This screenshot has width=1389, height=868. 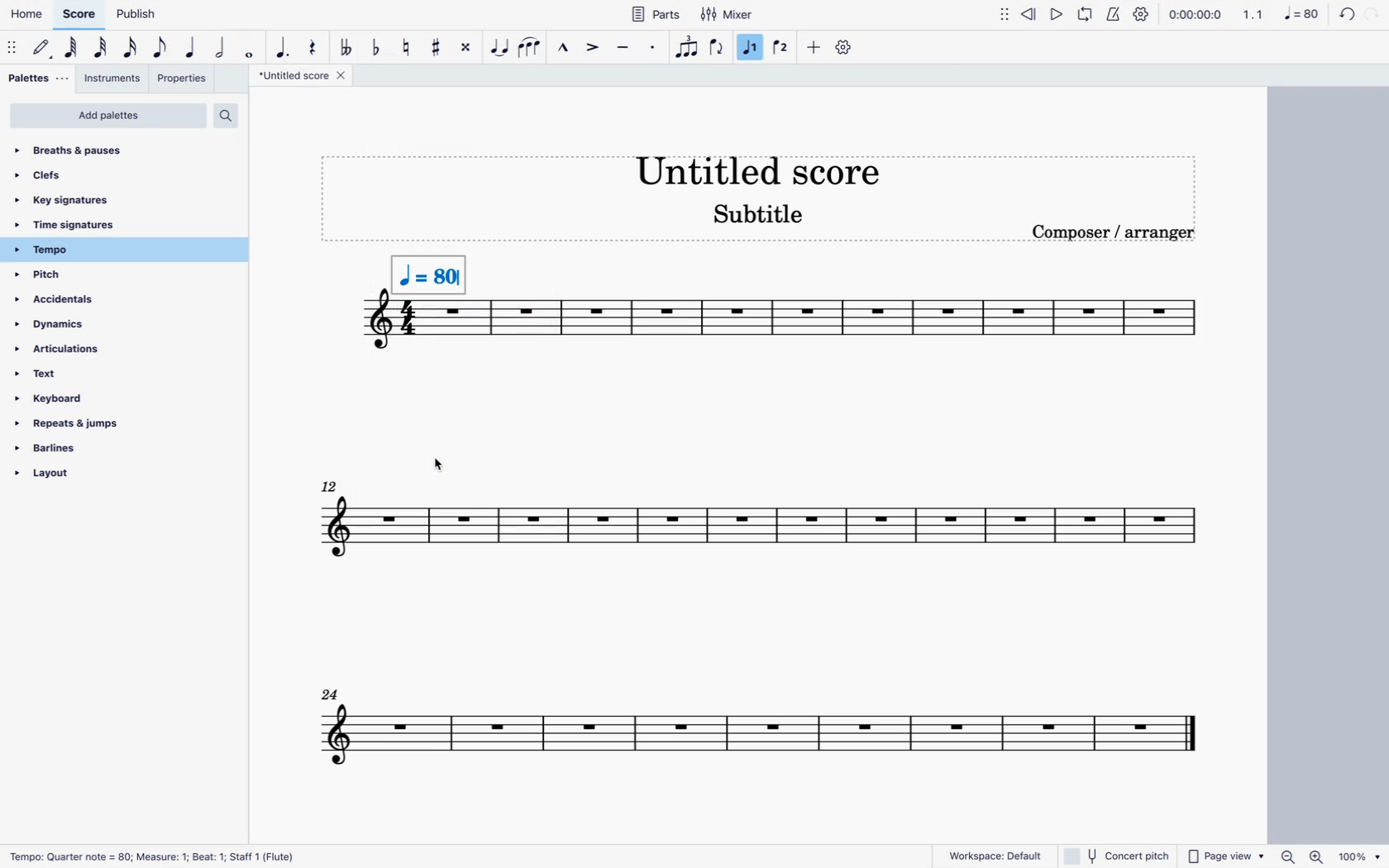 I want to click on half note, so click(x=219, y=47).